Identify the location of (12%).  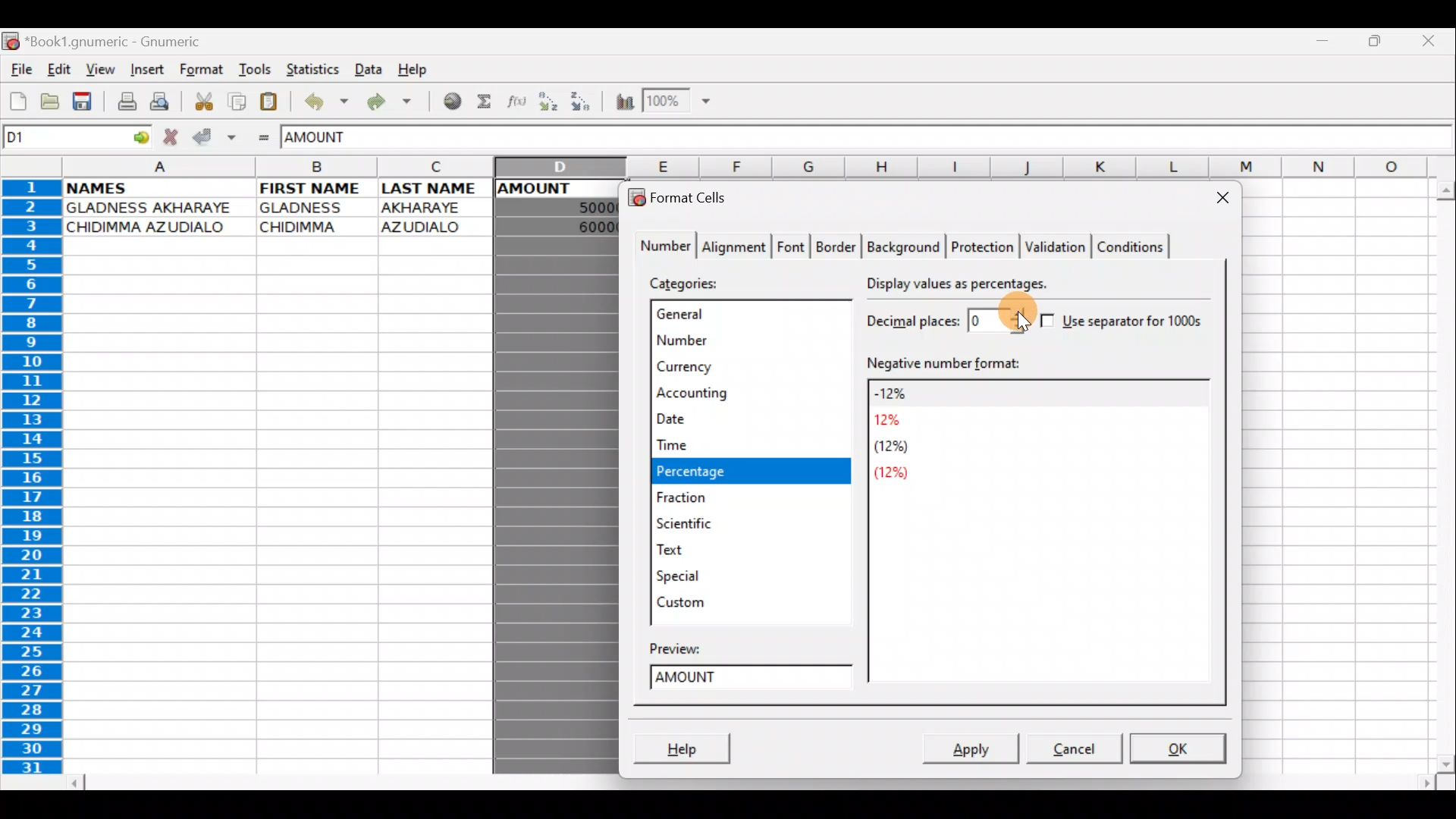
(897, 449).